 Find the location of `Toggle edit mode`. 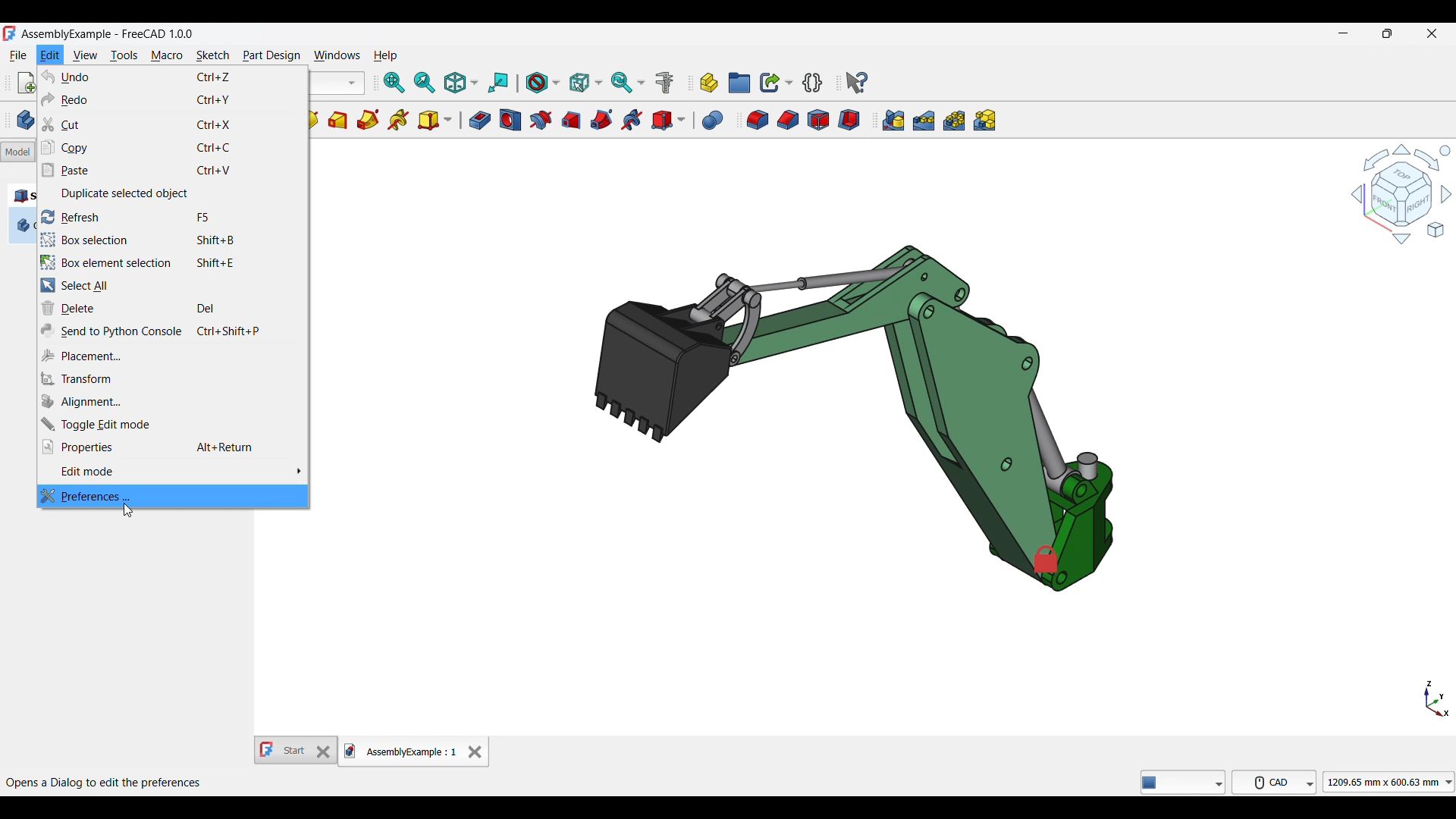

Toggle edit mode is located at coordinates (173, 424).